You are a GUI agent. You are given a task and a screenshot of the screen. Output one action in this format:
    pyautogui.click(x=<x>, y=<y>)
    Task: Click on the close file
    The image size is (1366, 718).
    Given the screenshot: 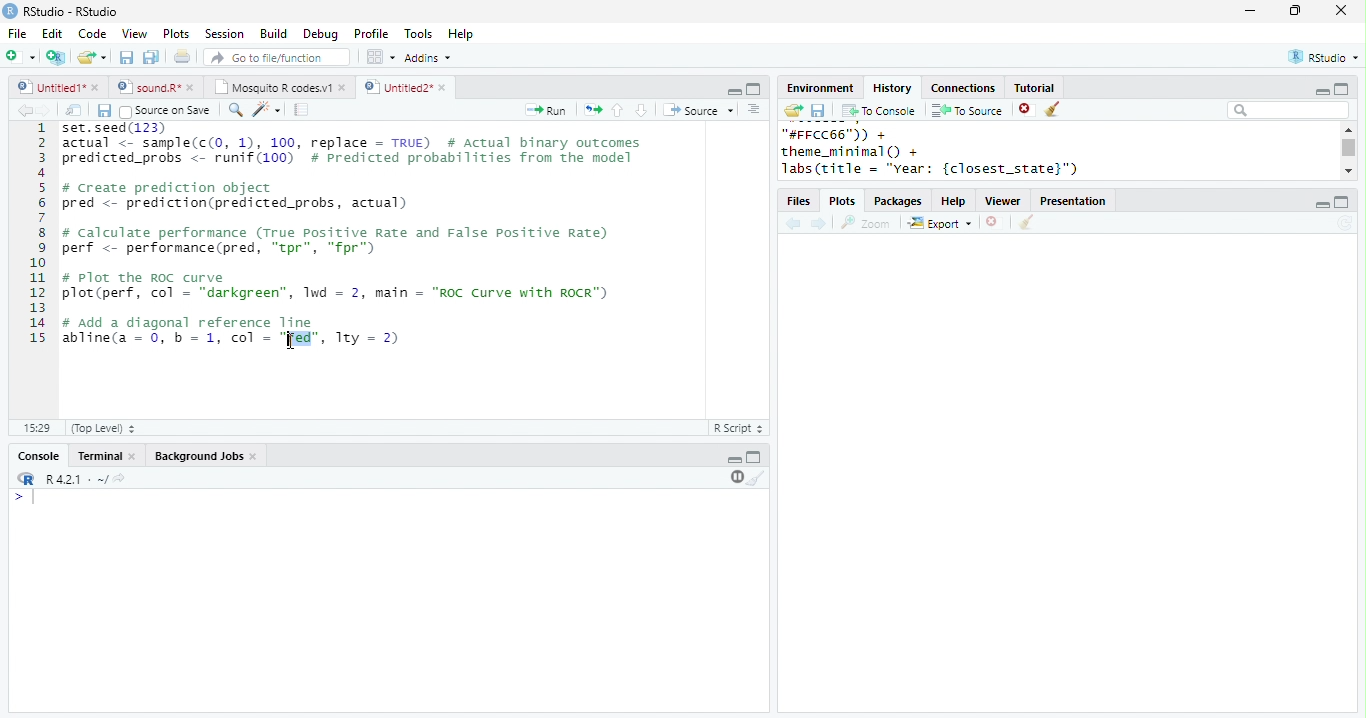 What is the action you would take?
    pyautogui.click(x=1027, y=110)
    